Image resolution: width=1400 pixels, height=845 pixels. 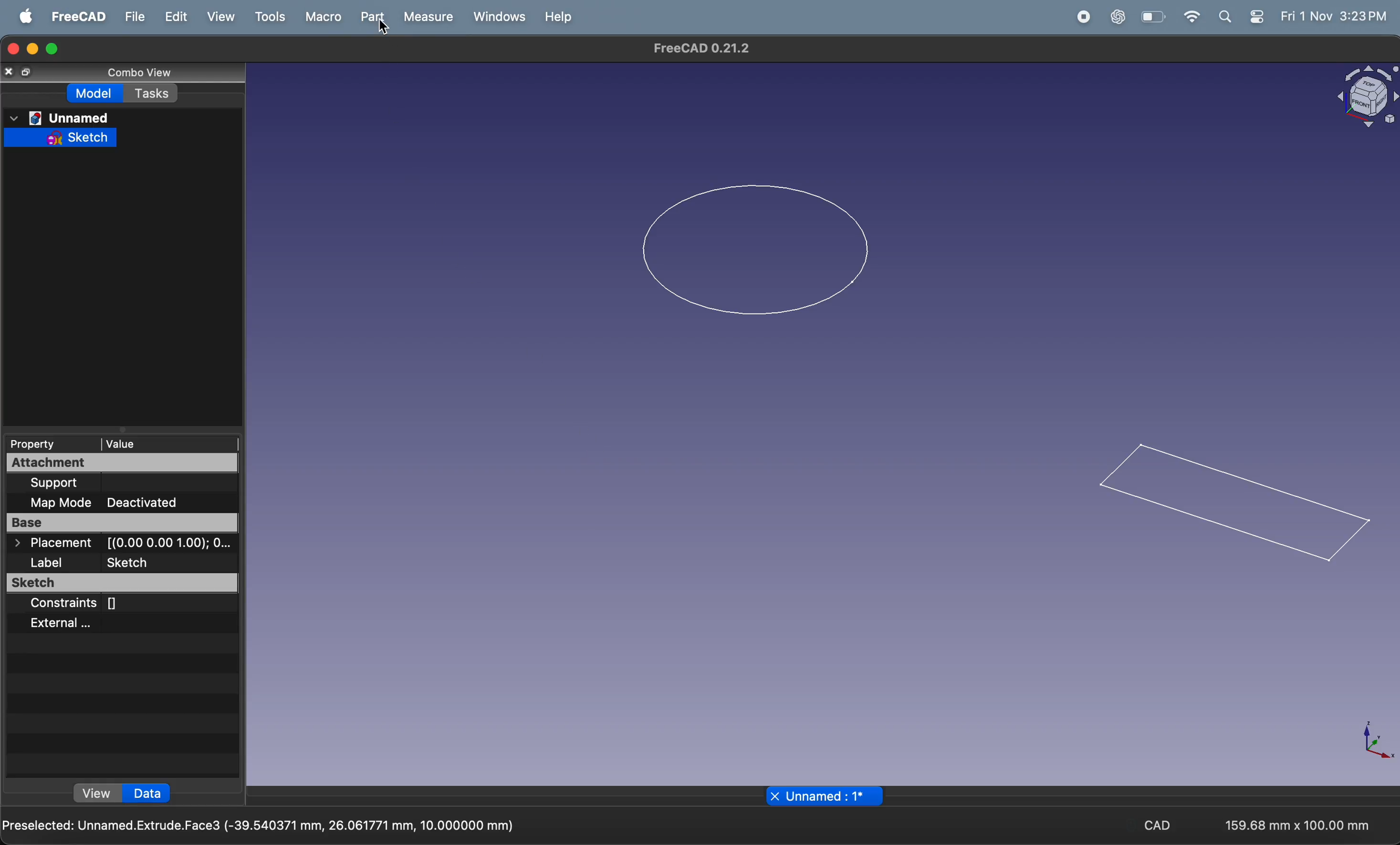 What do you see at coordinates (56, 484) in the screenshot?
I see `Support` at bounding box center [56, 484].